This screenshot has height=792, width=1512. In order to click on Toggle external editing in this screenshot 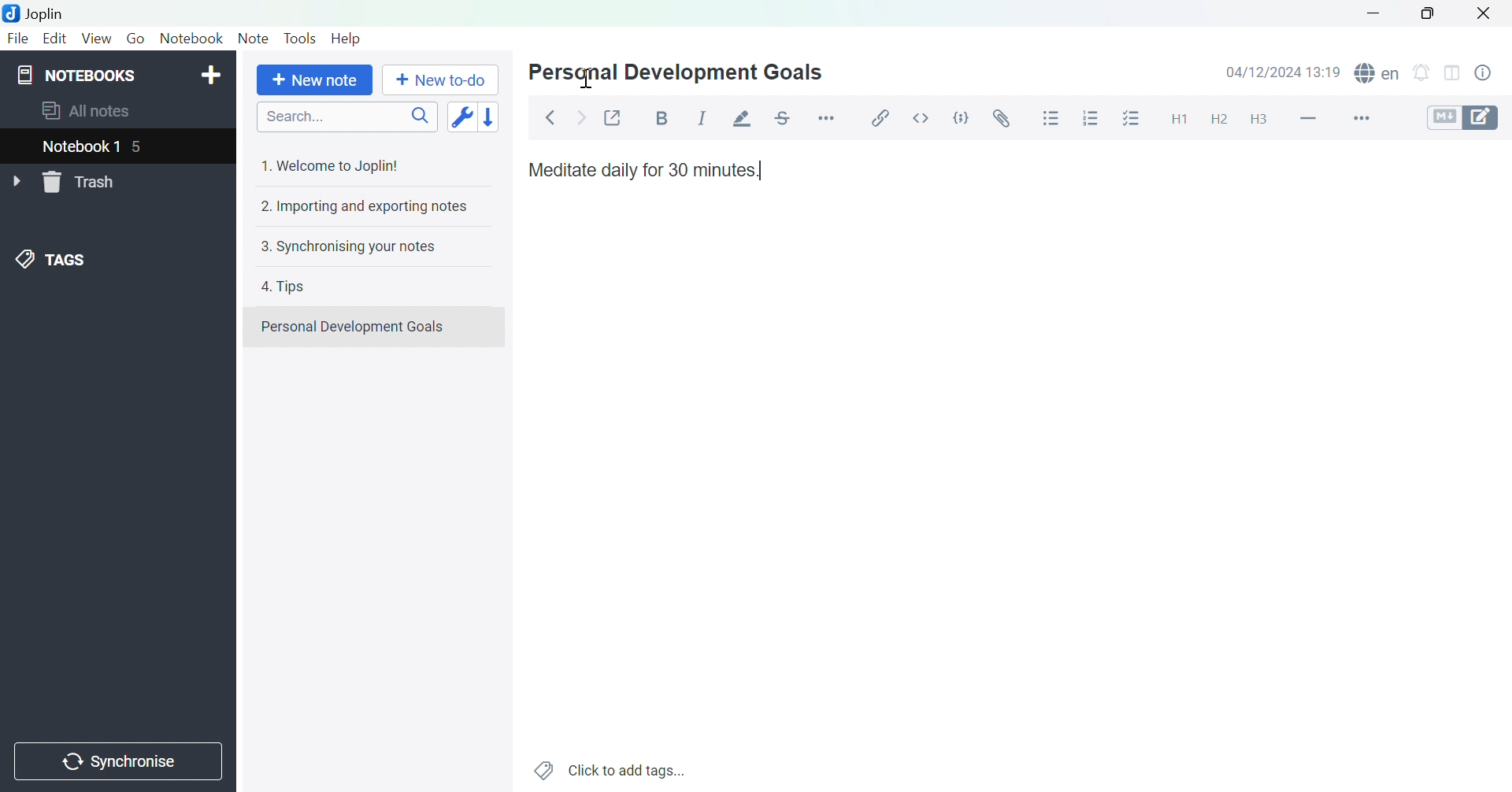, I will do `click(613, 117)`.